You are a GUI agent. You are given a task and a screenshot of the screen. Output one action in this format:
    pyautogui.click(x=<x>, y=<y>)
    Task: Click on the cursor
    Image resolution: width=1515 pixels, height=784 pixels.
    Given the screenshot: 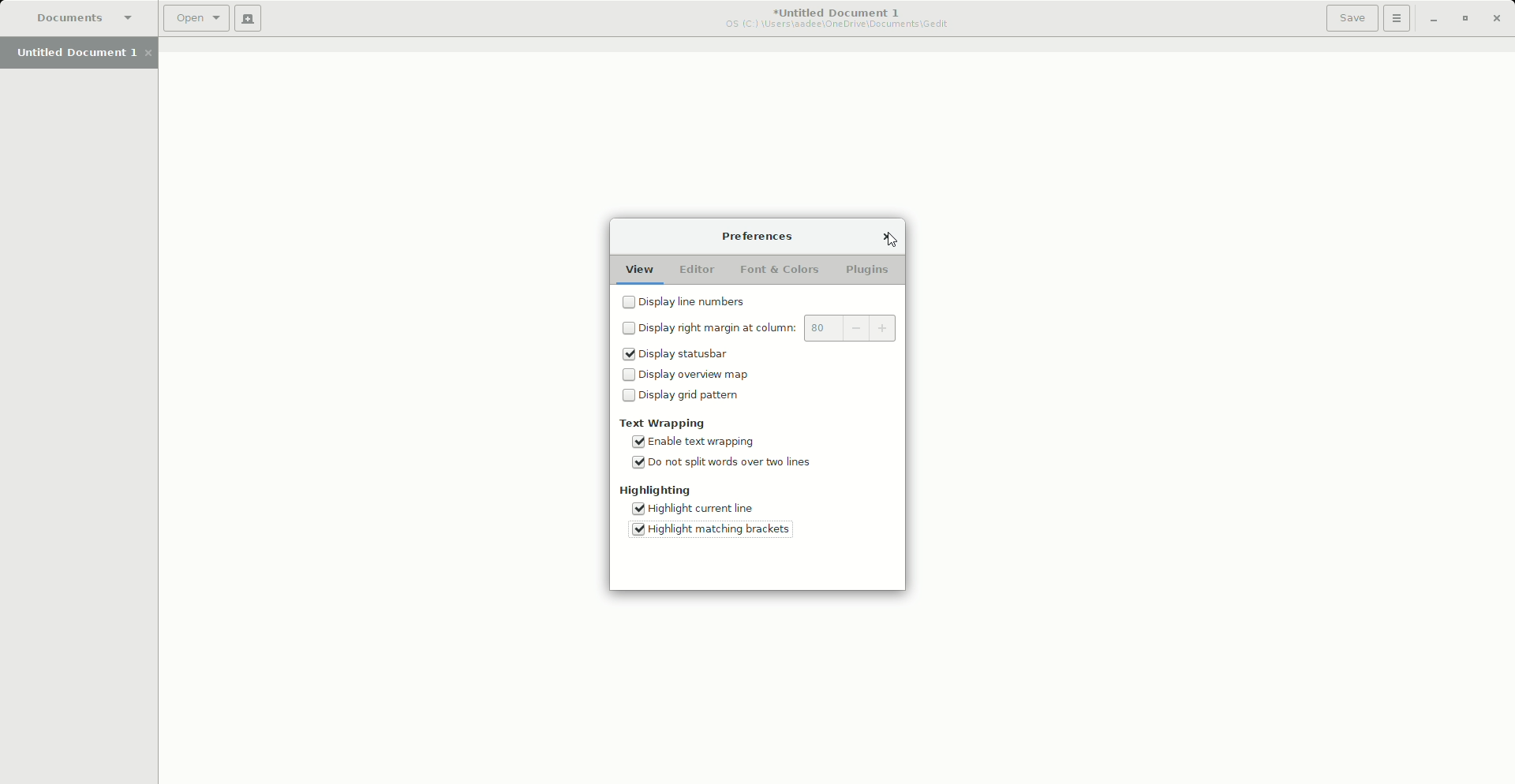 What is the action you would take?
    pyautogui.click(x=904, y=241)
    